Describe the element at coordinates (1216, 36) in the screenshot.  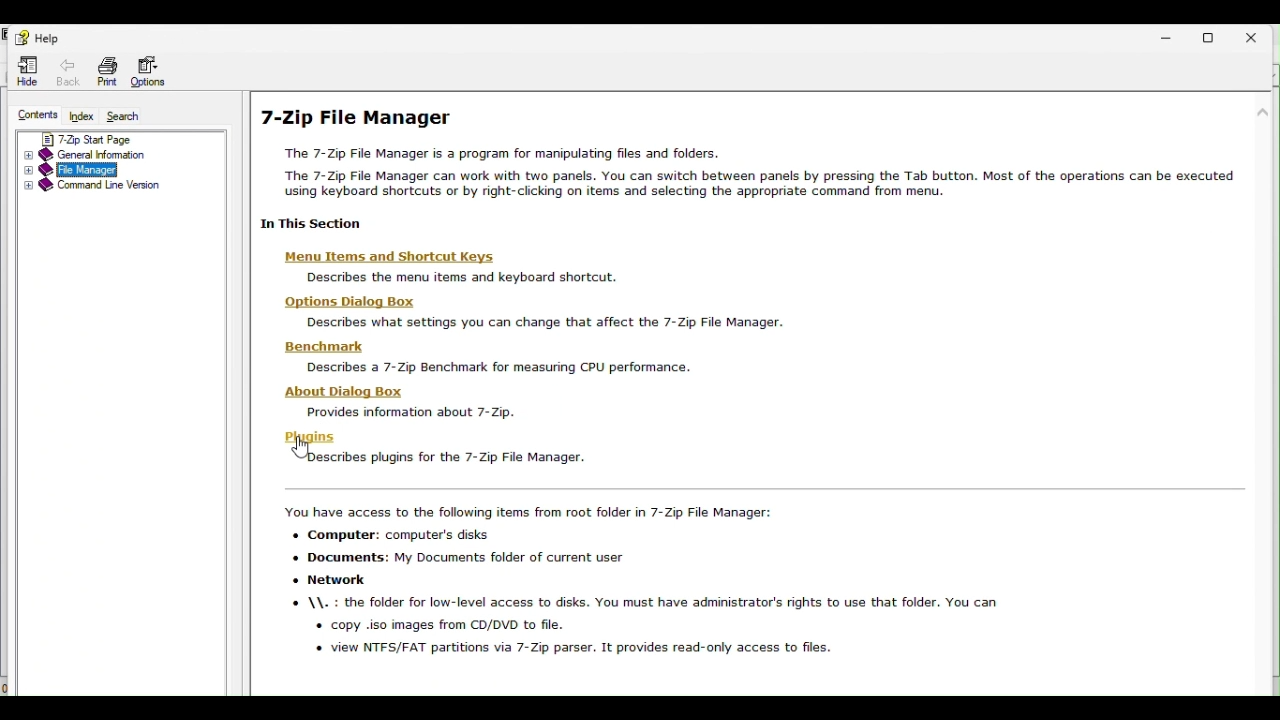
I see `Restore` at that location.